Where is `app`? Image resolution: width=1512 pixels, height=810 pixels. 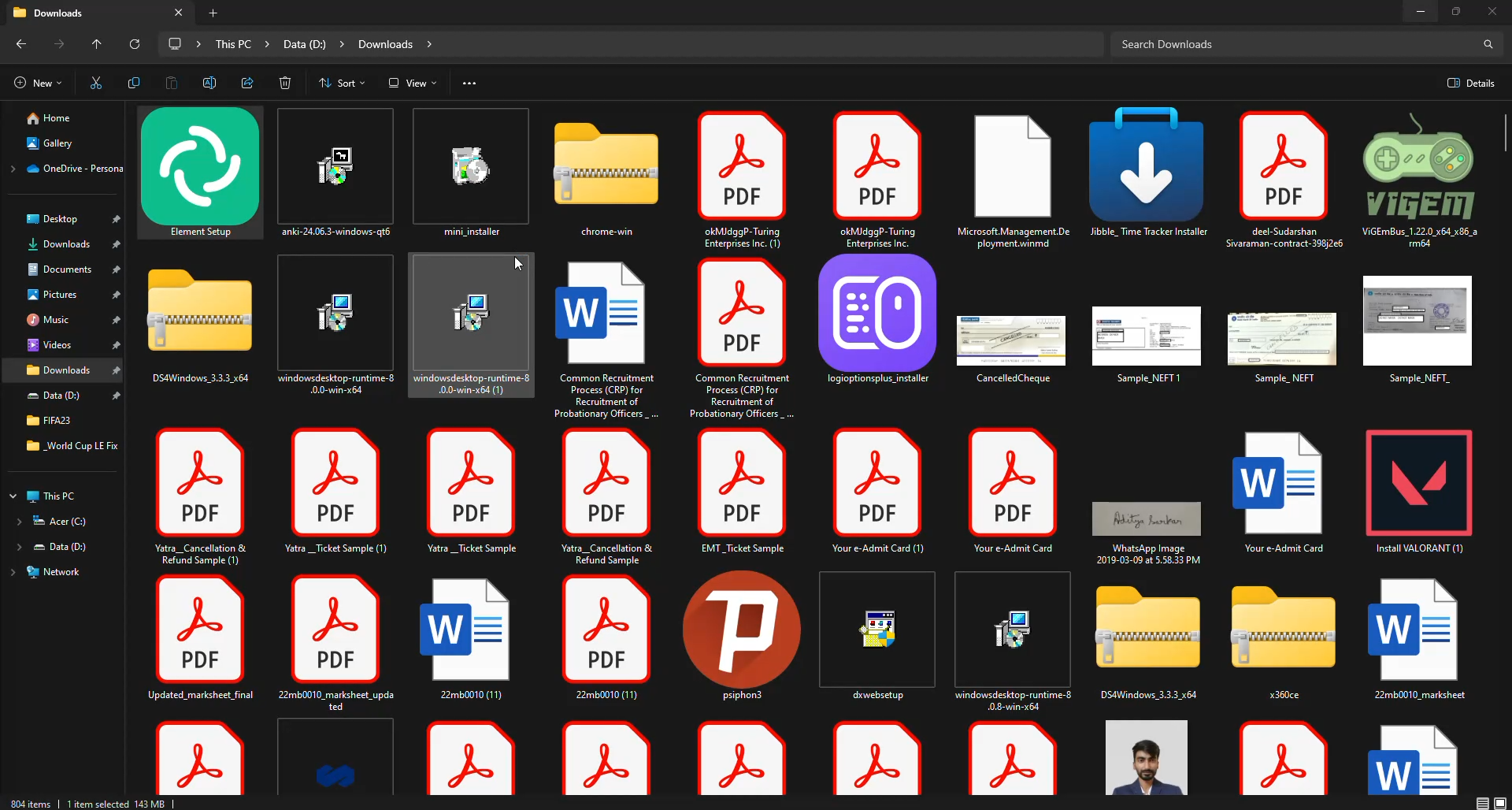
app is located at coordinates (208, 172).